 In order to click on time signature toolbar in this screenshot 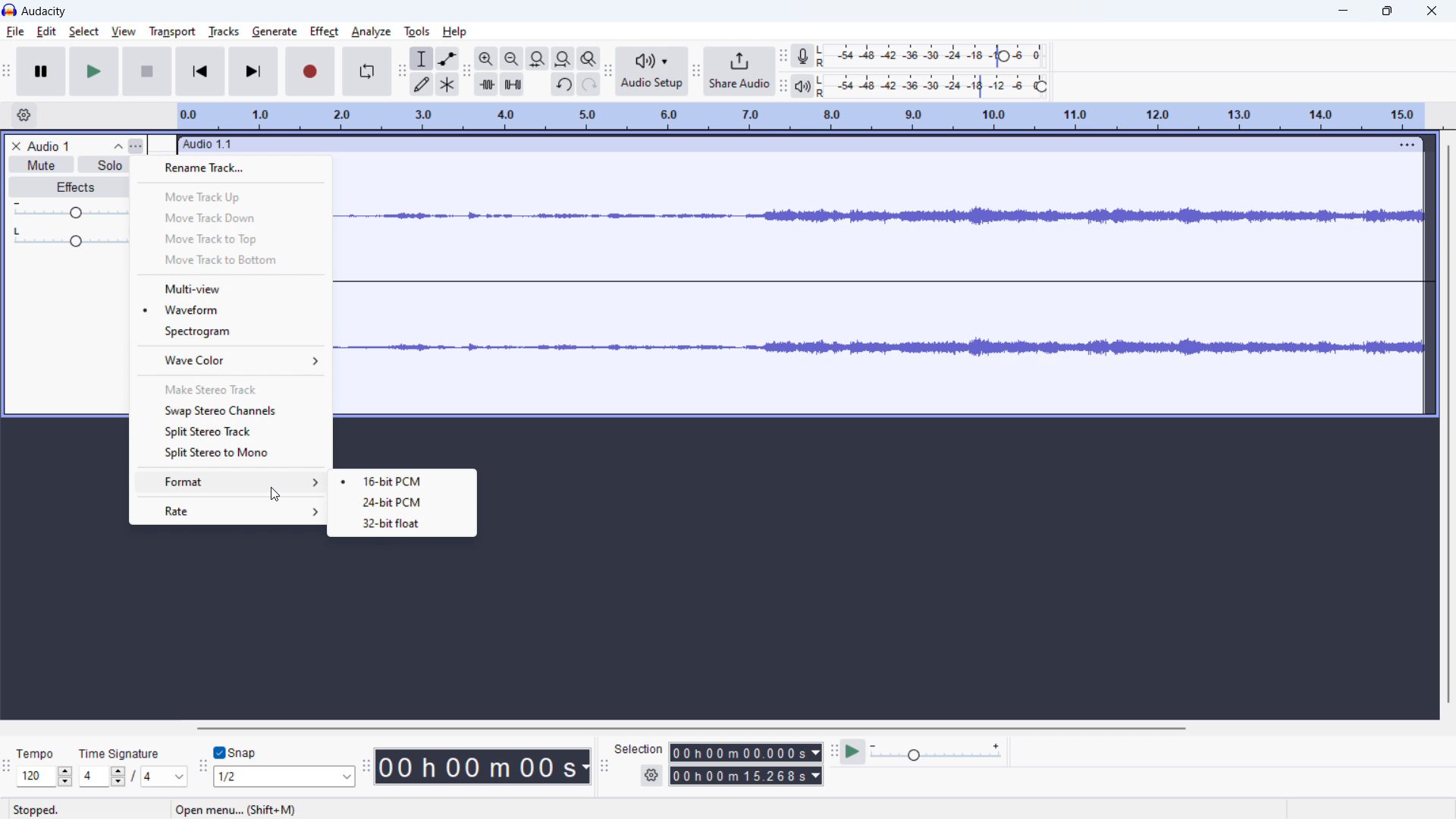, I will do `click(6, 767)`.